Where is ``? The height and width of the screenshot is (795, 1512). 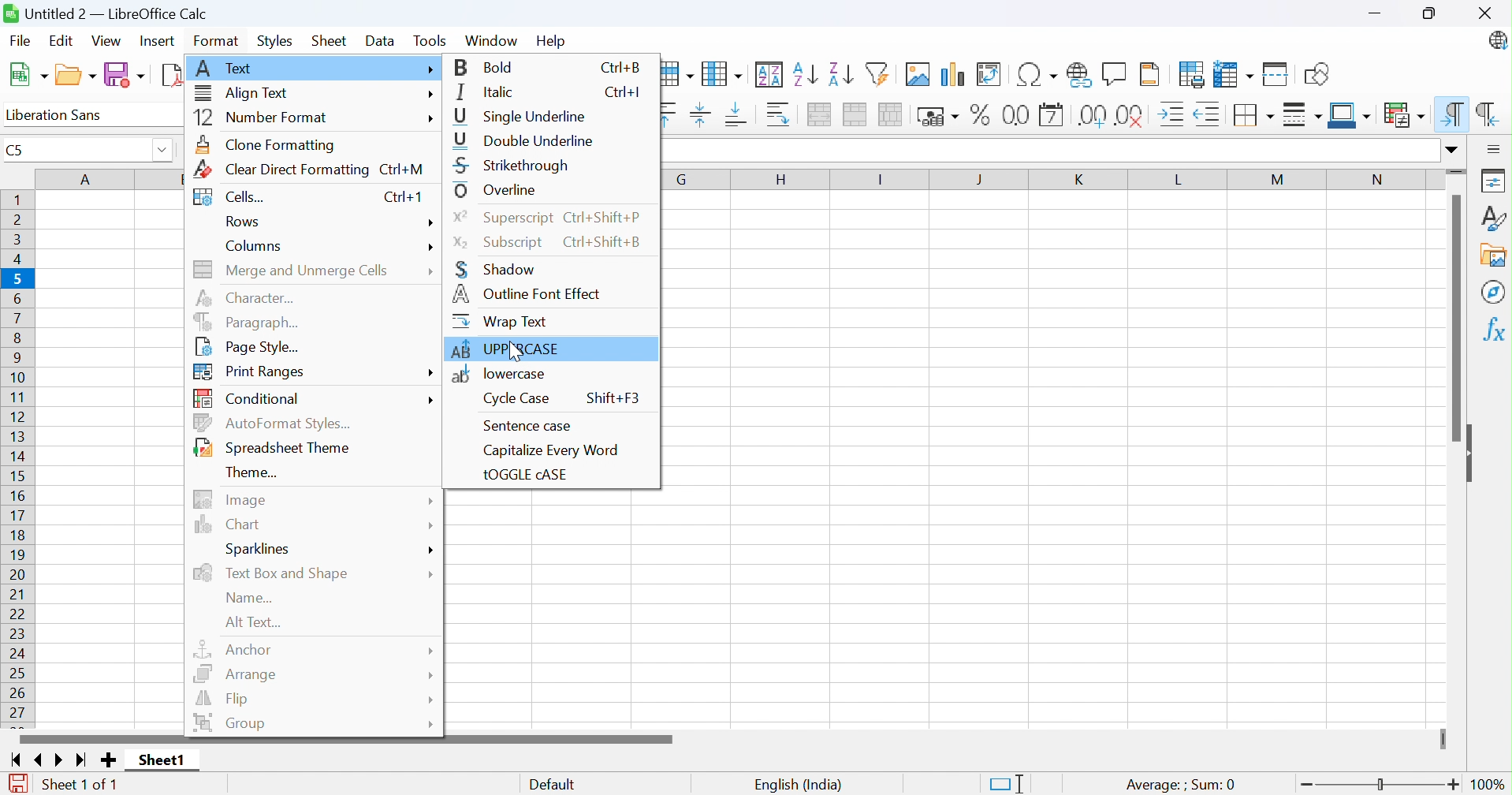
 is located at coordinates (430, 553).